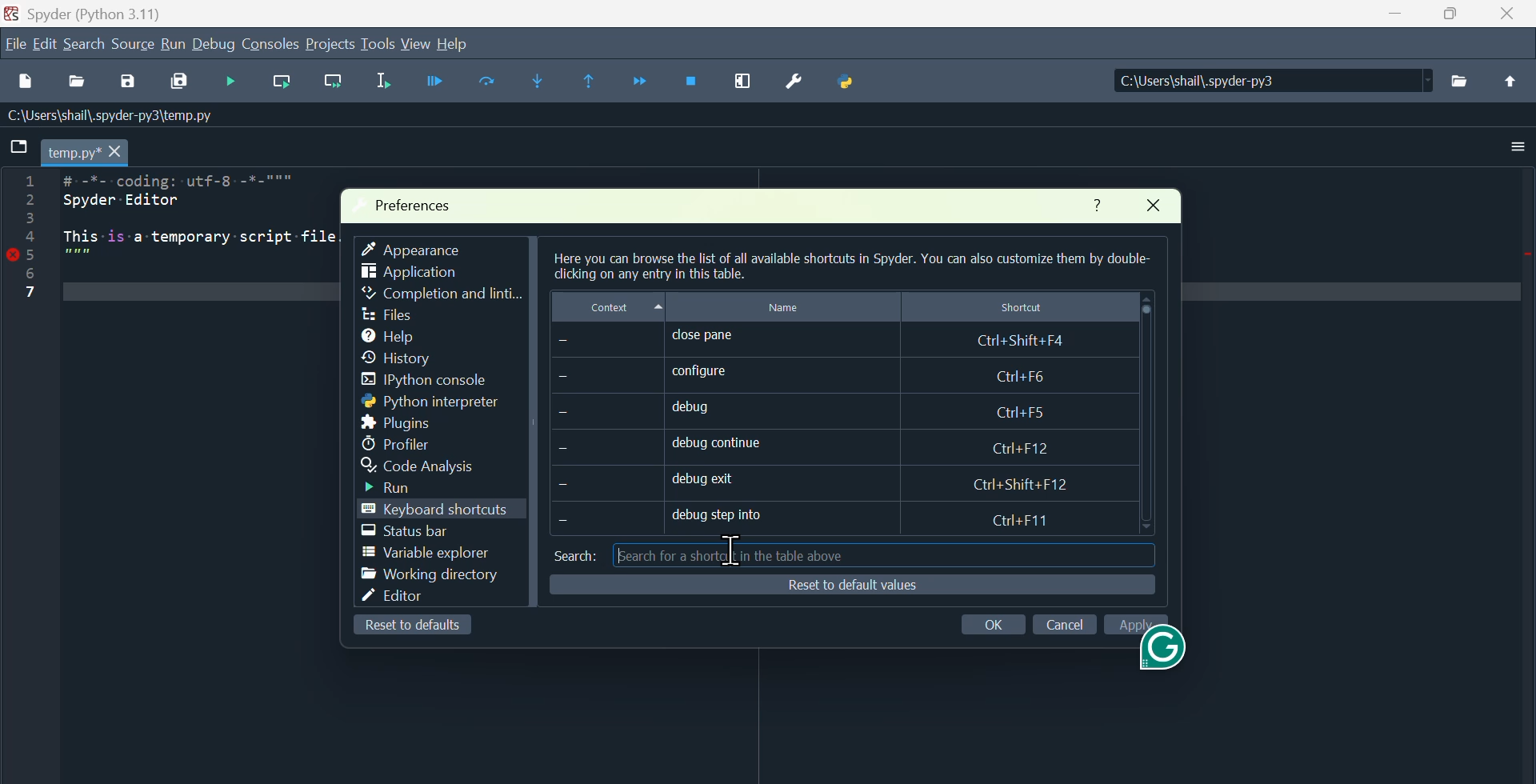 This screenshot has height=784, width=1536. What do you see at coordinates (860, 83) in the screenshot?
I see `Python path manager` at bounding box center [860, 83].